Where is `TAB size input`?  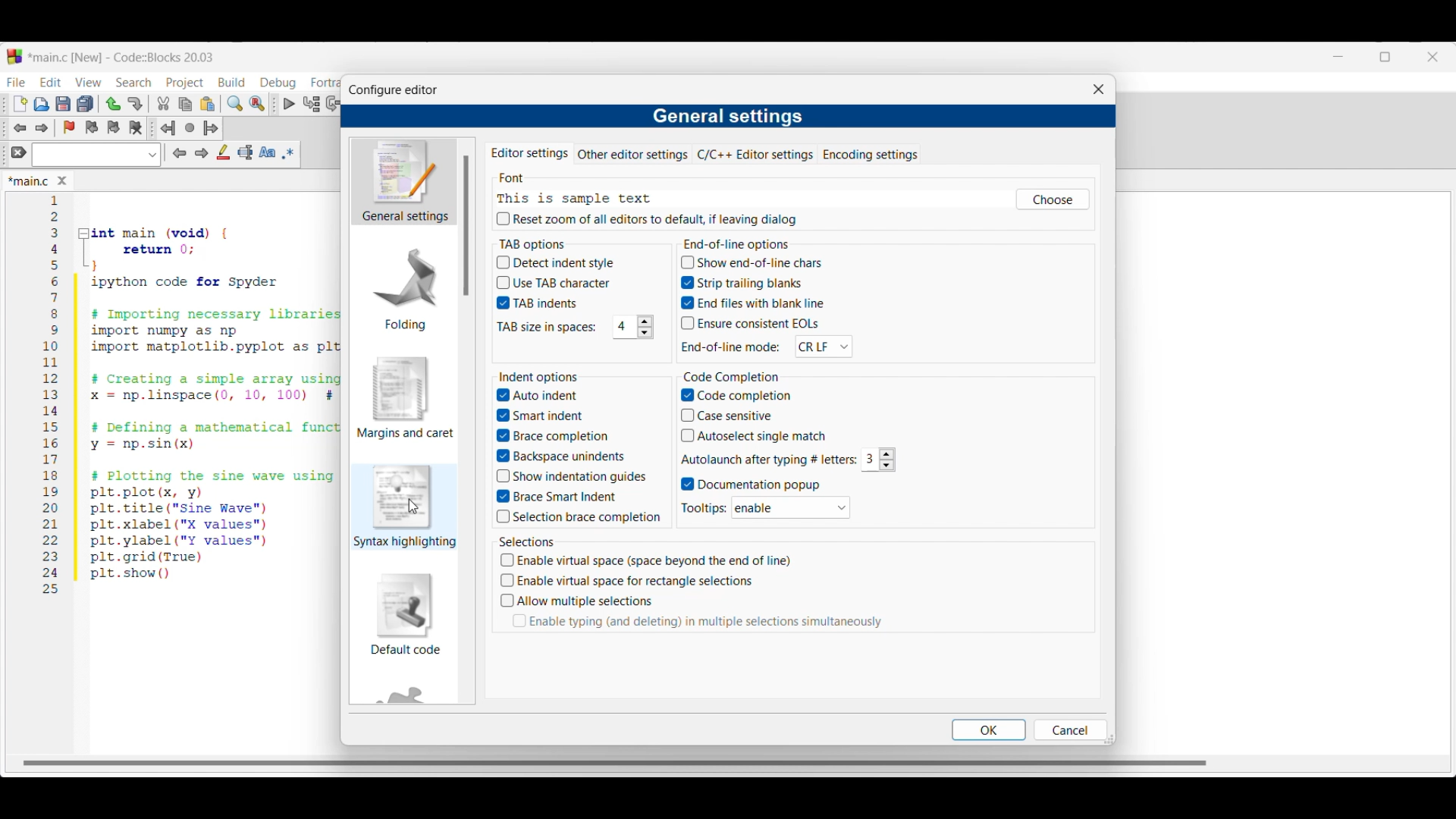 TAB size input is located at coordinates (623, 326).